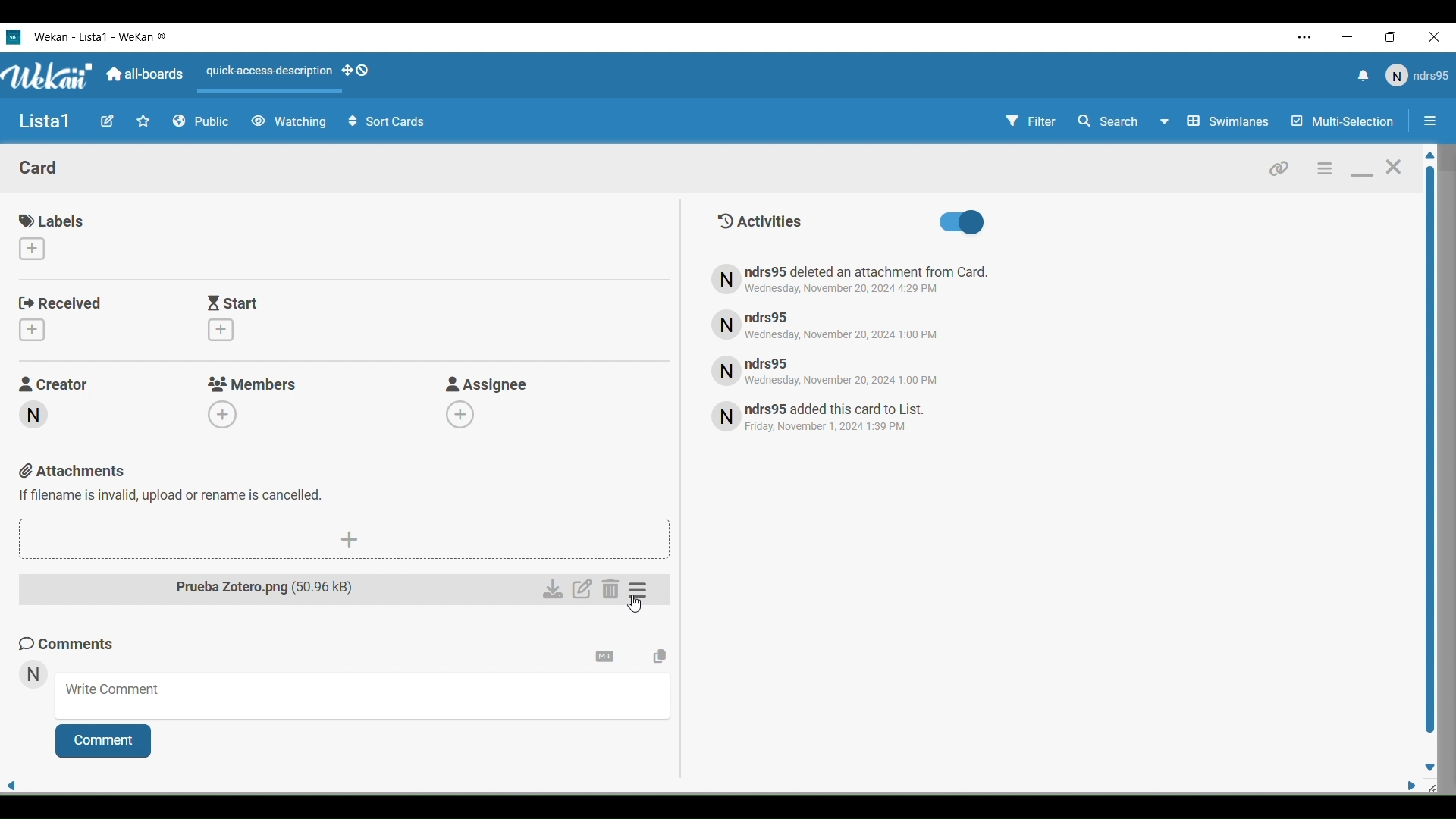 This screenshot has height=819, width=1456. What do you see at coordinates (1306, 37) in the screenshot?
I see `Settings and more` at bounding box center [1306, 37].